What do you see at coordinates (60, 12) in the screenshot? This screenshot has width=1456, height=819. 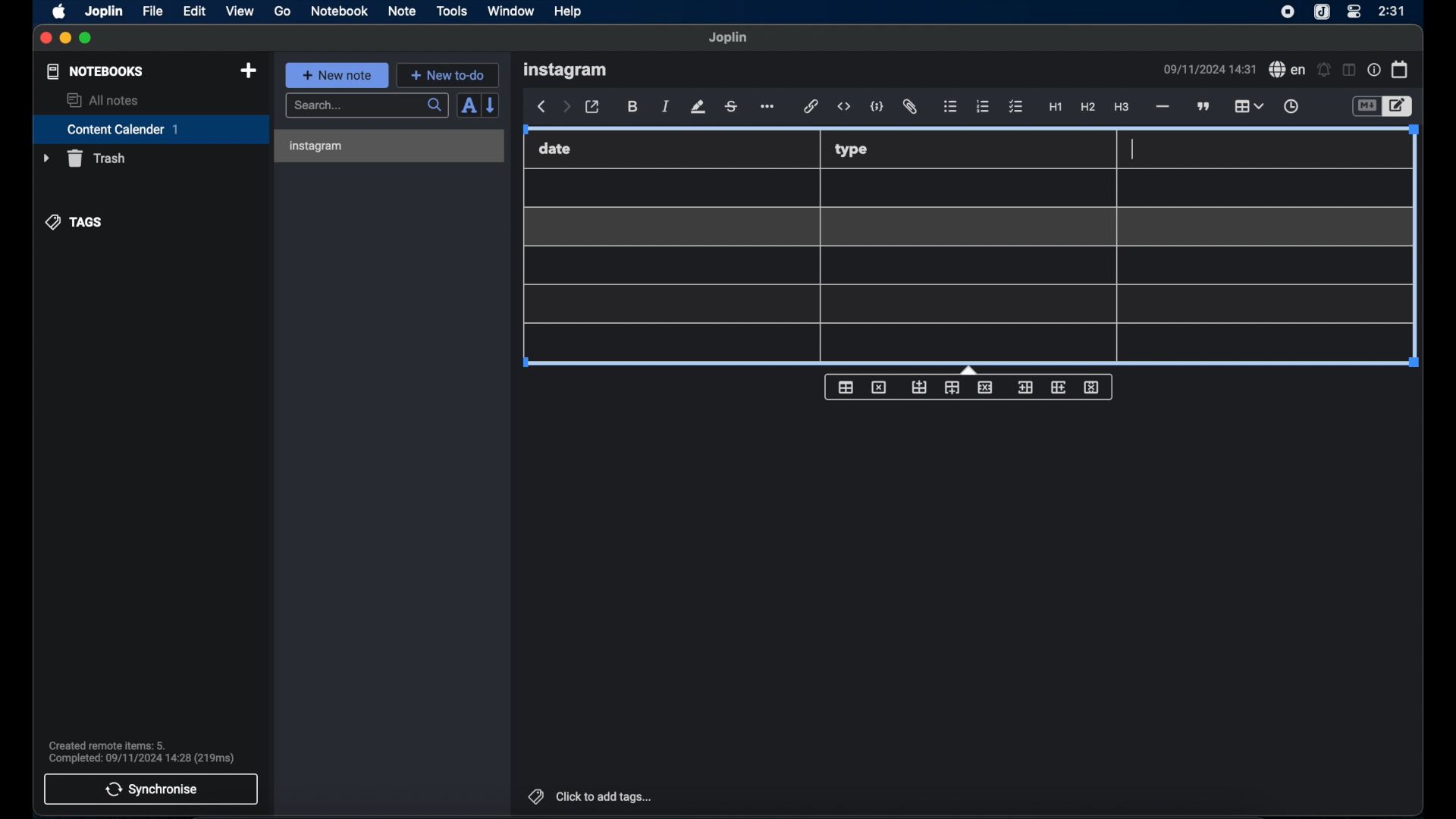 I see `apple icon` at bounding box center [60, 12].